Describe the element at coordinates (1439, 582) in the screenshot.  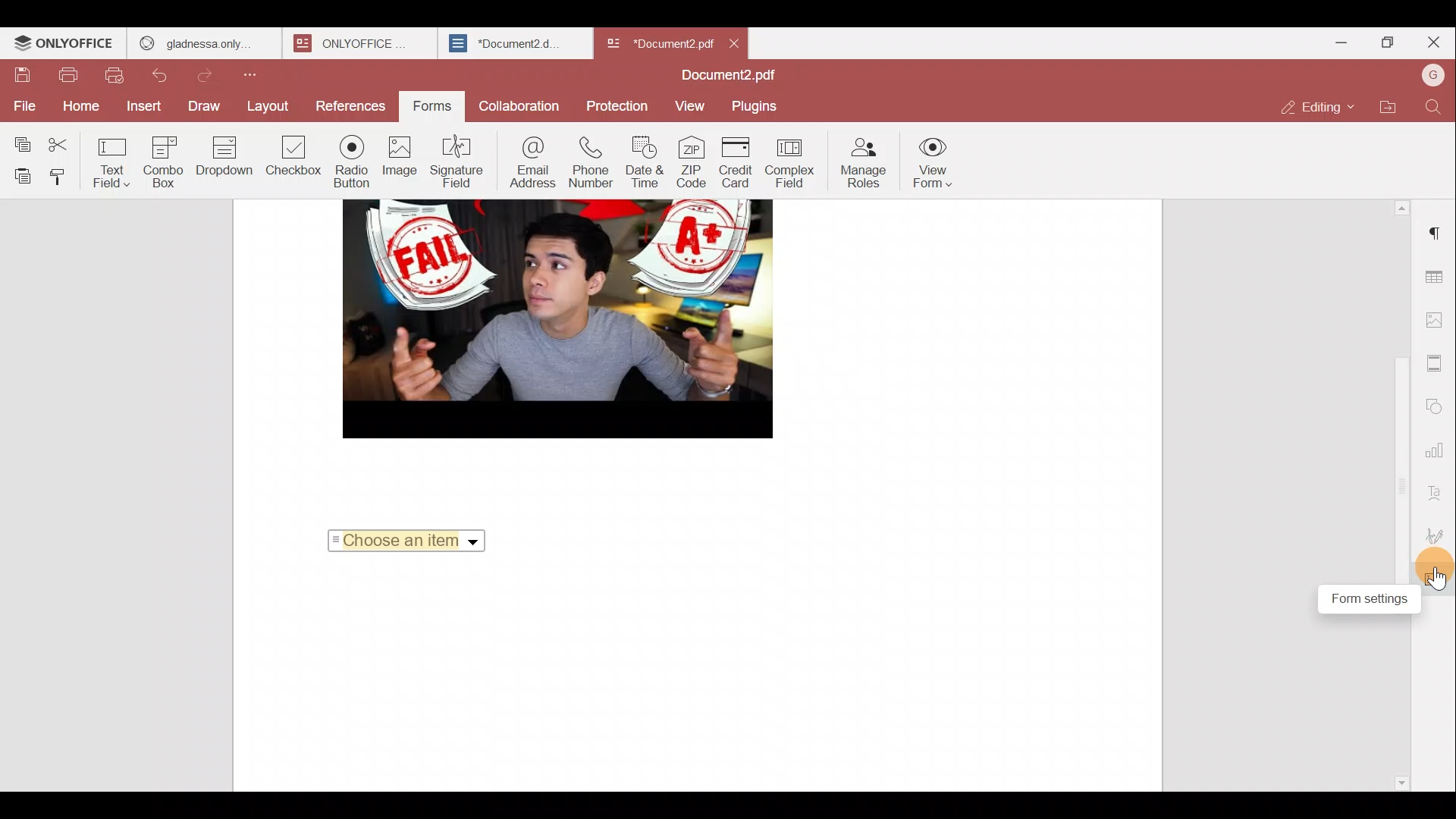
I see `Cursor` at that location.